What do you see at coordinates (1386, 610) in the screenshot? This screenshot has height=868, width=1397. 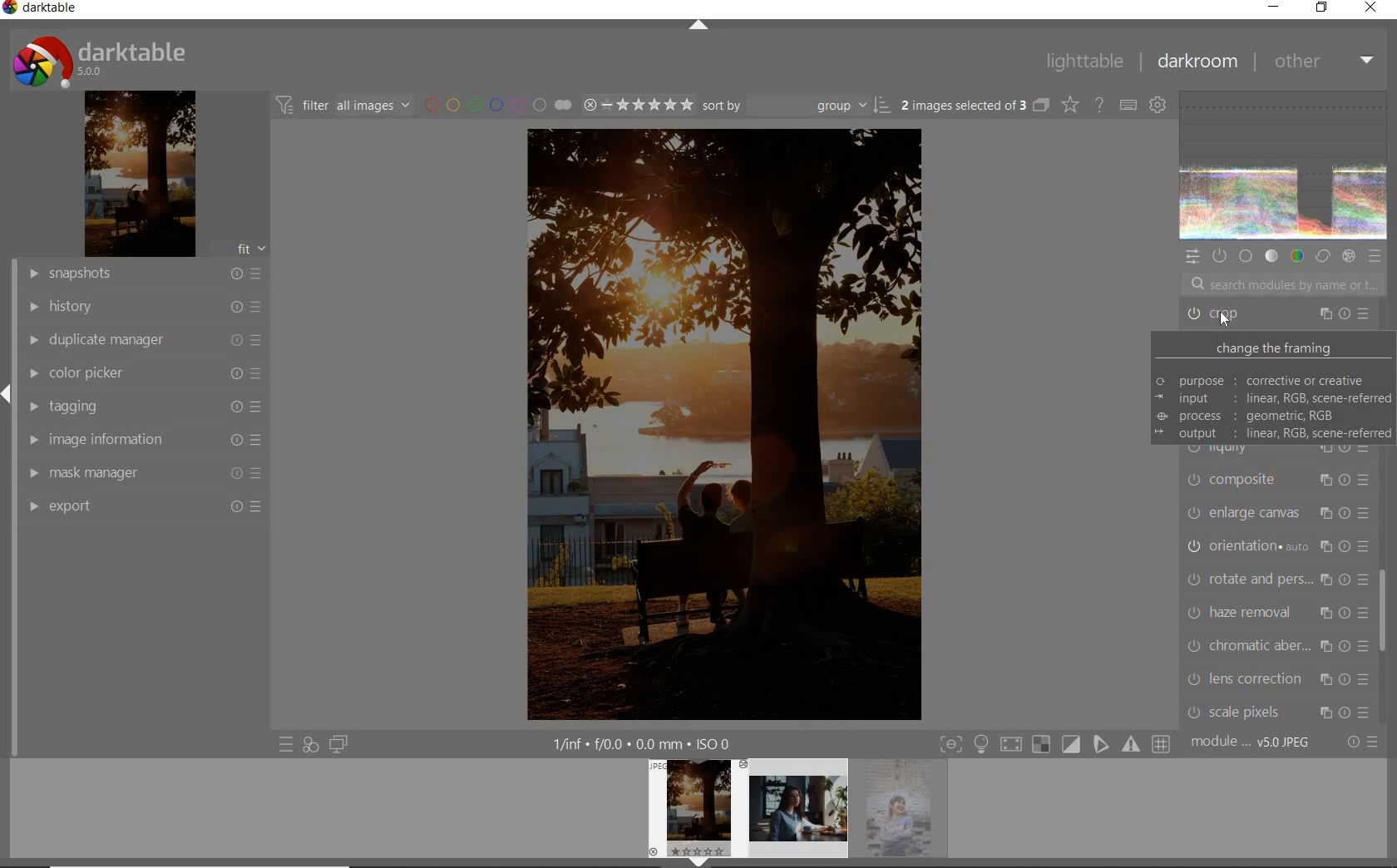 I see `scrollbar` at bounding box center [1386, 610].